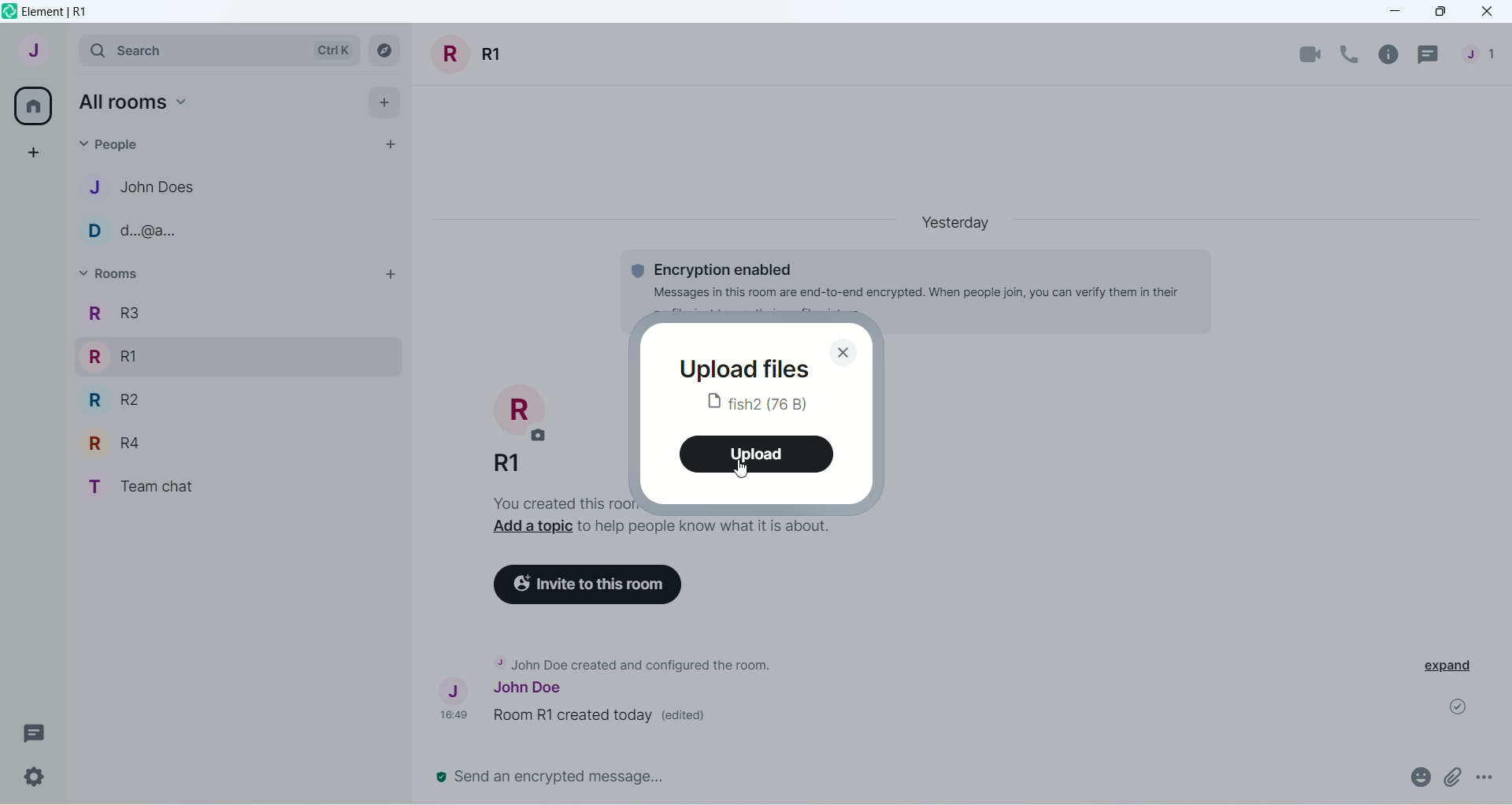  I want to click on close, so click(848, 353).